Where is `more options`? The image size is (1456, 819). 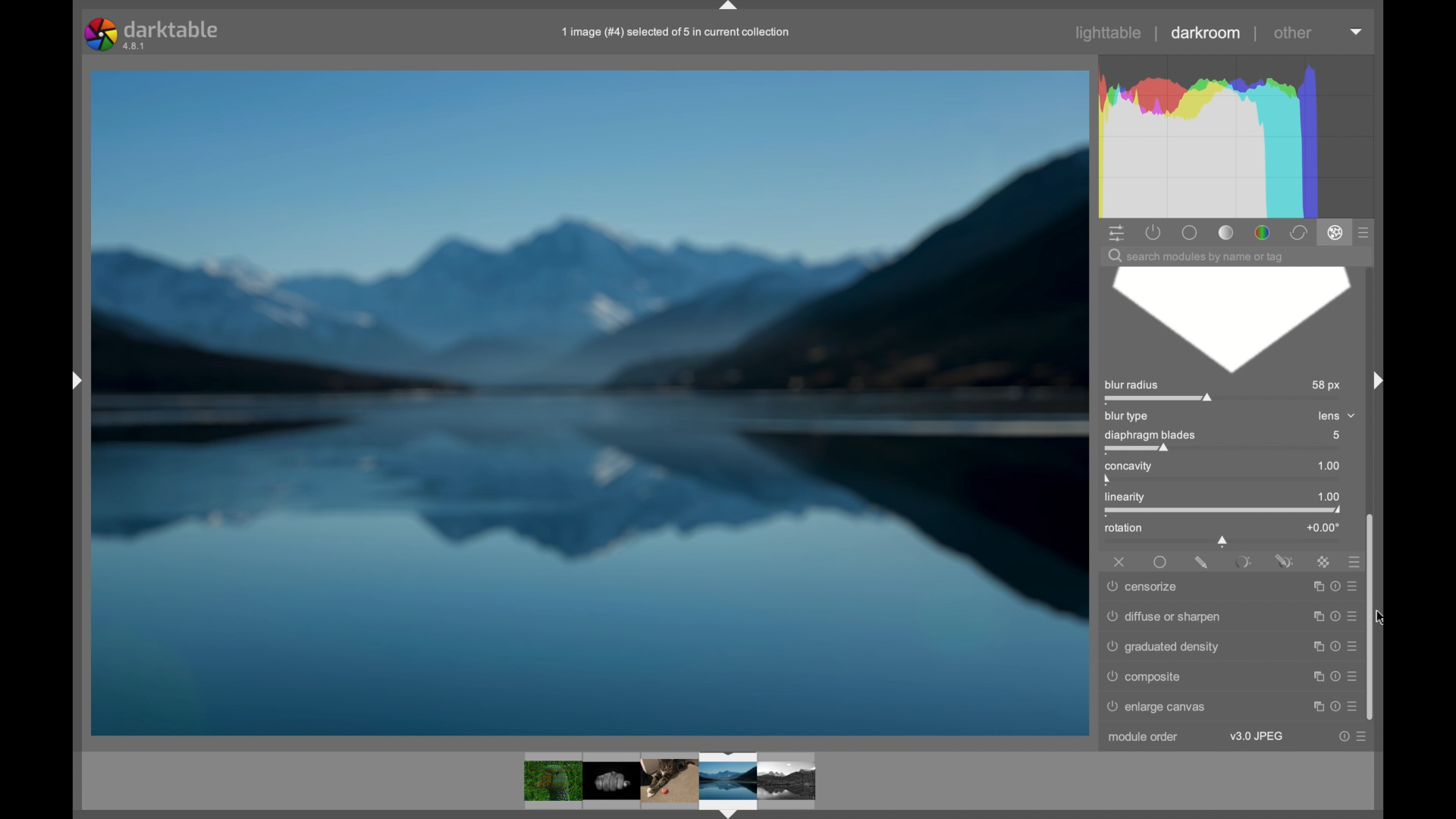
more options is located at coordinates (1352, 644).